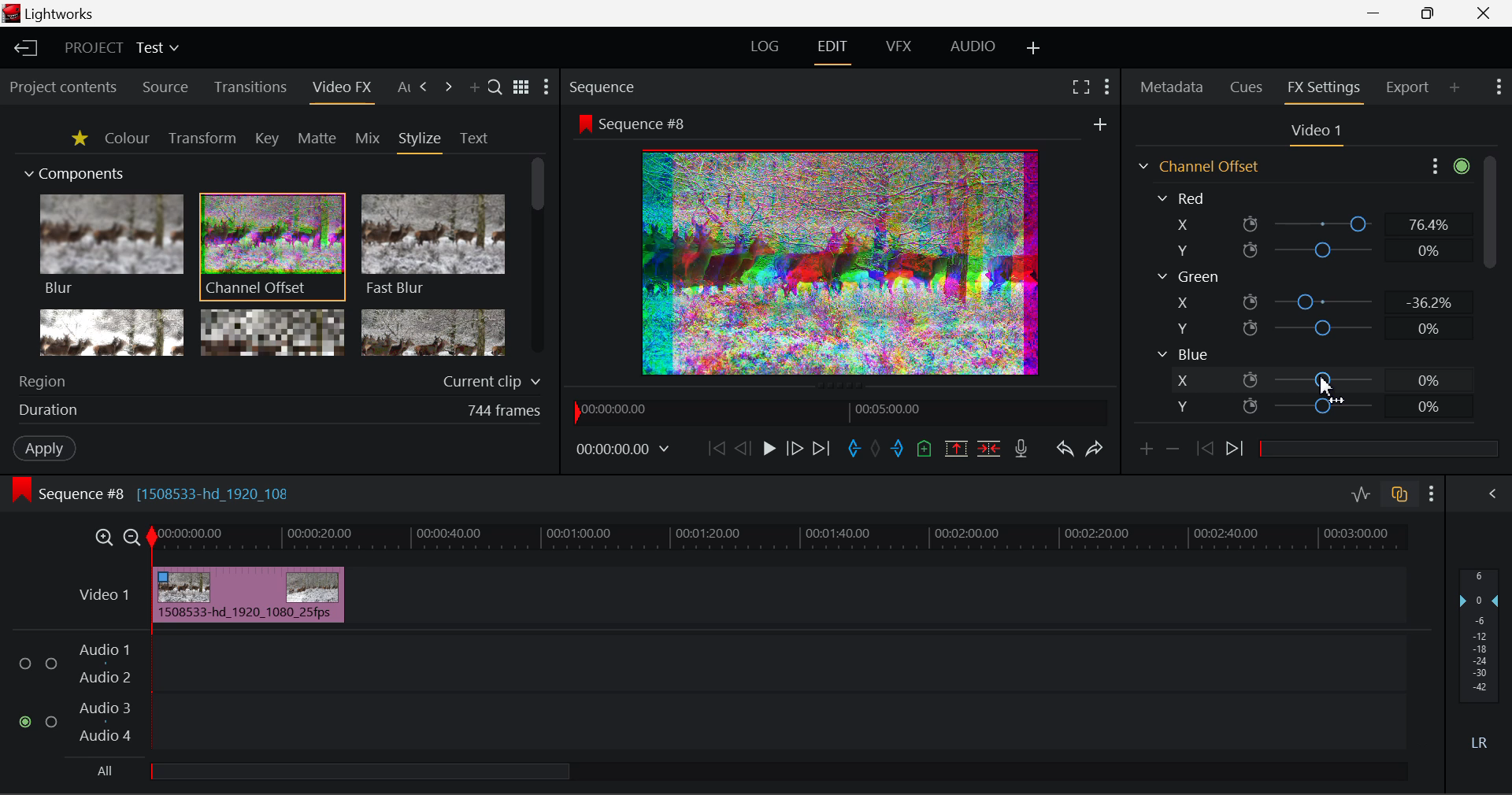  I want to click on Show Audio Mix, so click(1484, 494).